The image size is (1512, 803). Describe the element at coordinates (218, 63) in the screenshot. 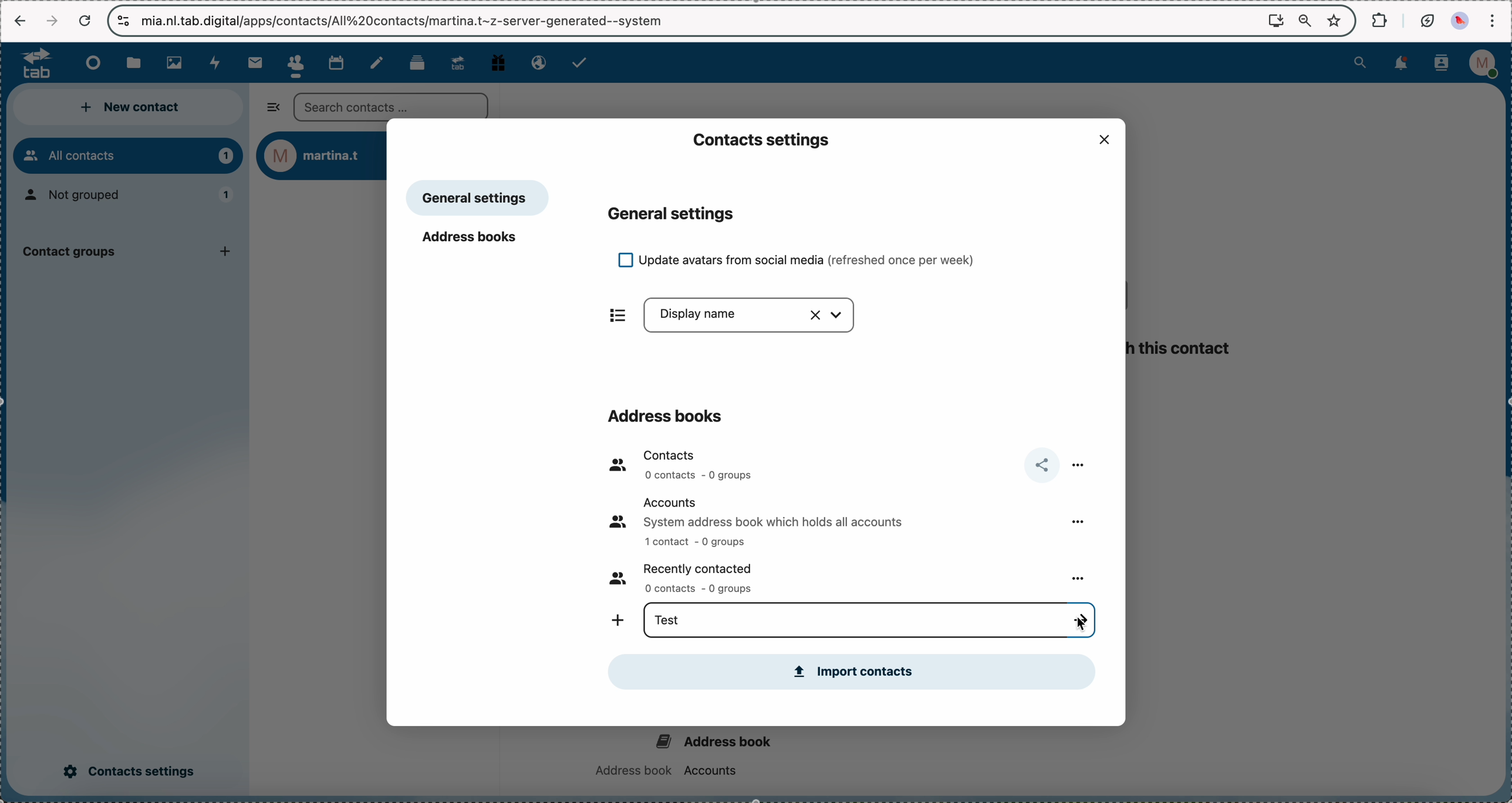

I see `activity` at that location.